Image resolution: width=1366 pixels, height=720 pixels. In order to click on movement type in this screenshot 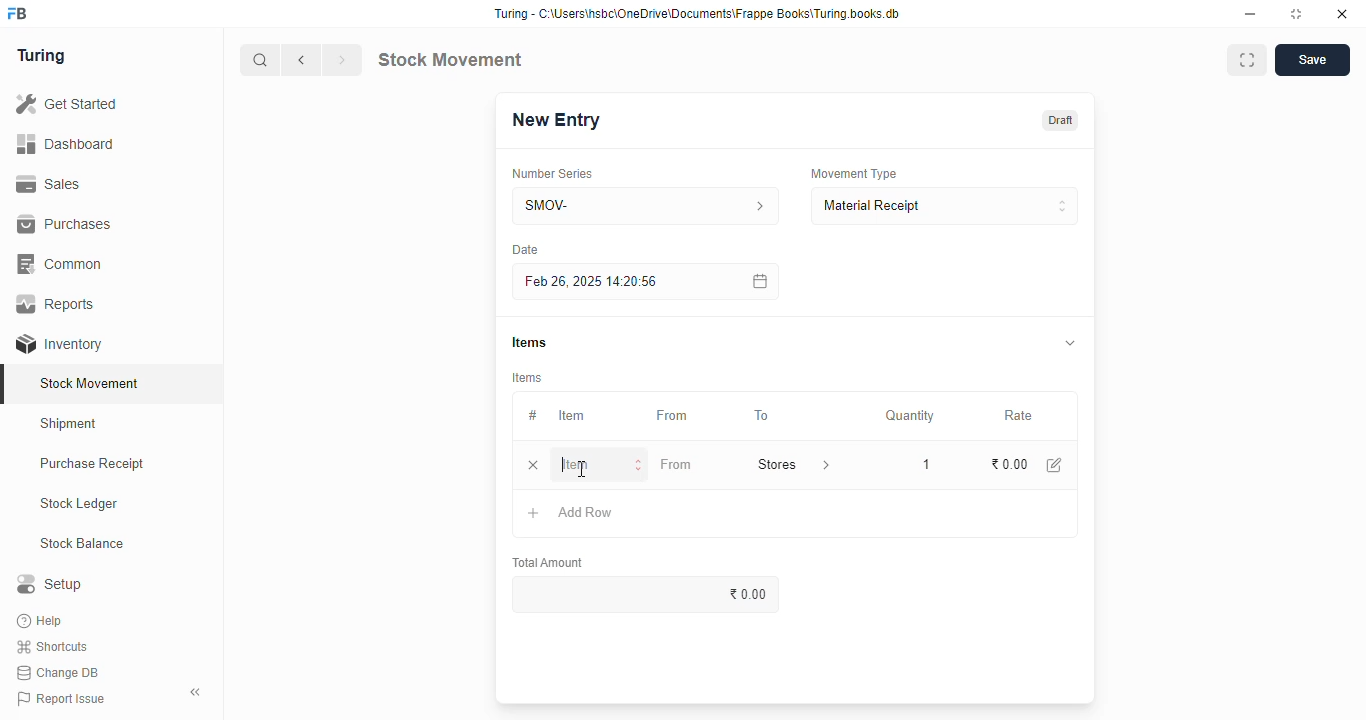, I will do `click(853, 173)`.